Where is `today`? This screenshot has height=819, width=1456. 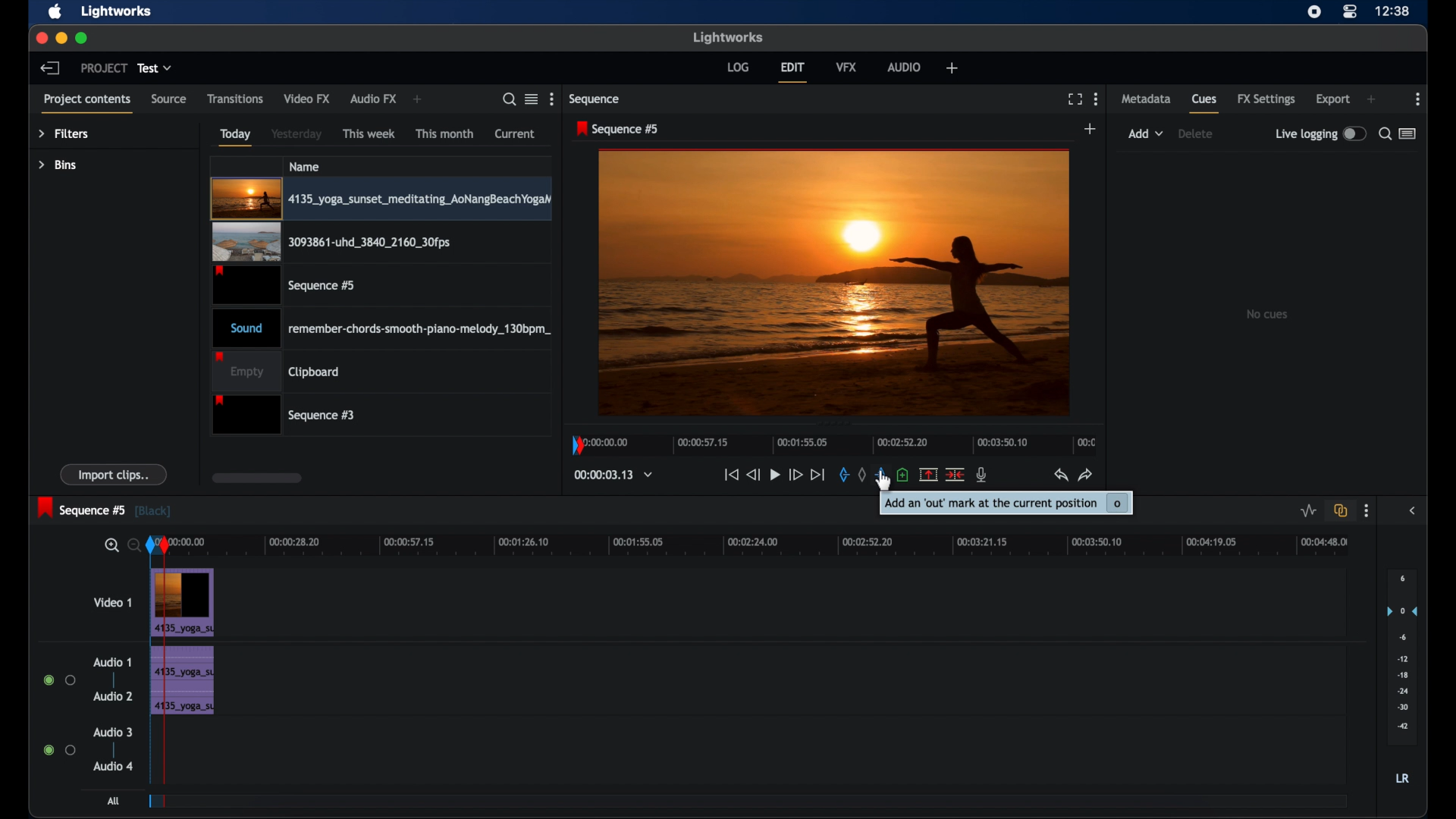
today is located at coordinates (236, 137).